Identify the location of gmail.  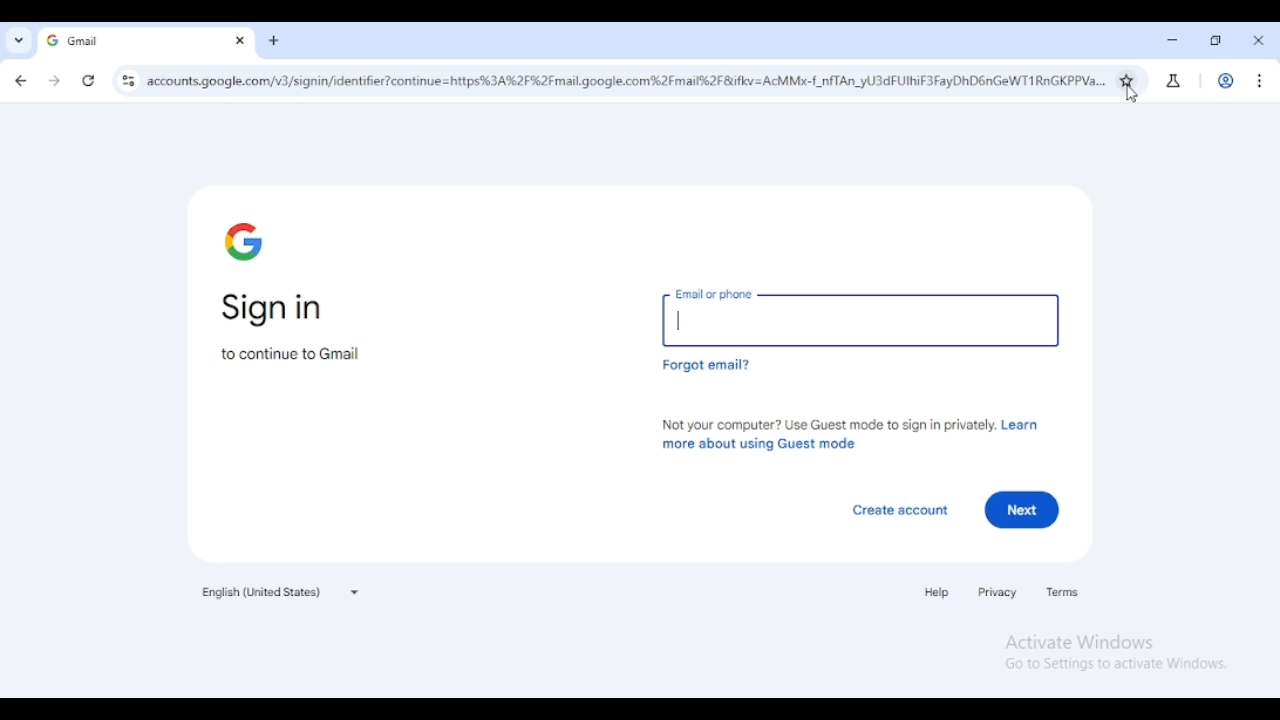
(126, 41).